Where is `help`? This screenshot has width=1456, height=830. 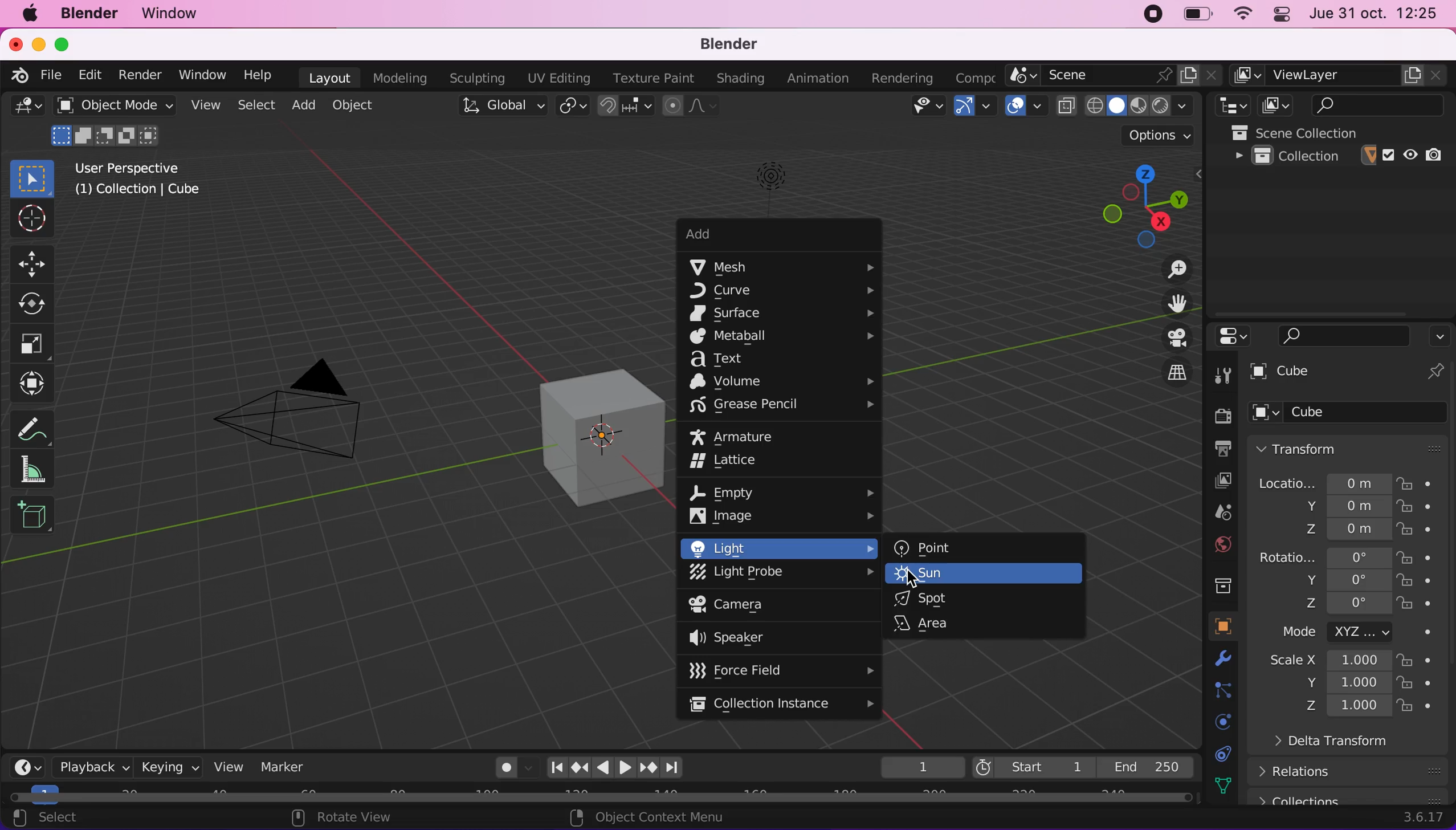
help is located at coordinates (258, 75).